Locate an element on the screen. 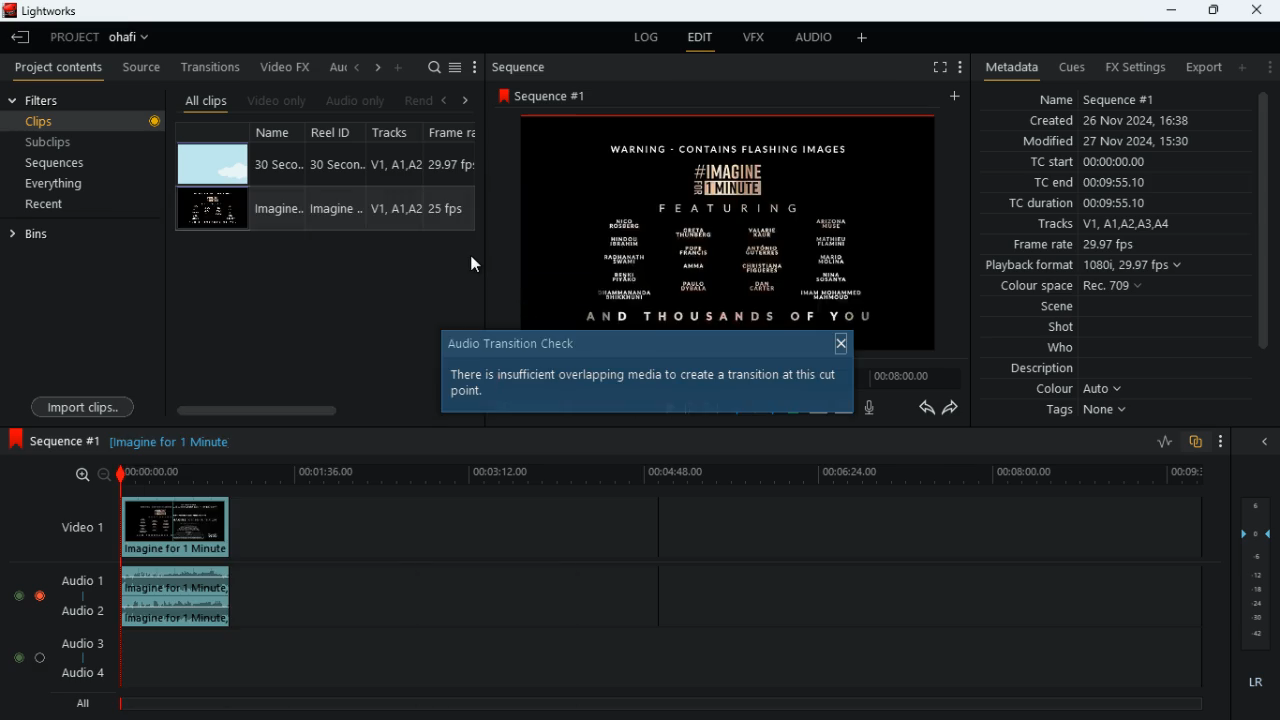 Image resolution: width=1280 pixels, height=720 pixels. fps is located at coordinates (455, 132).